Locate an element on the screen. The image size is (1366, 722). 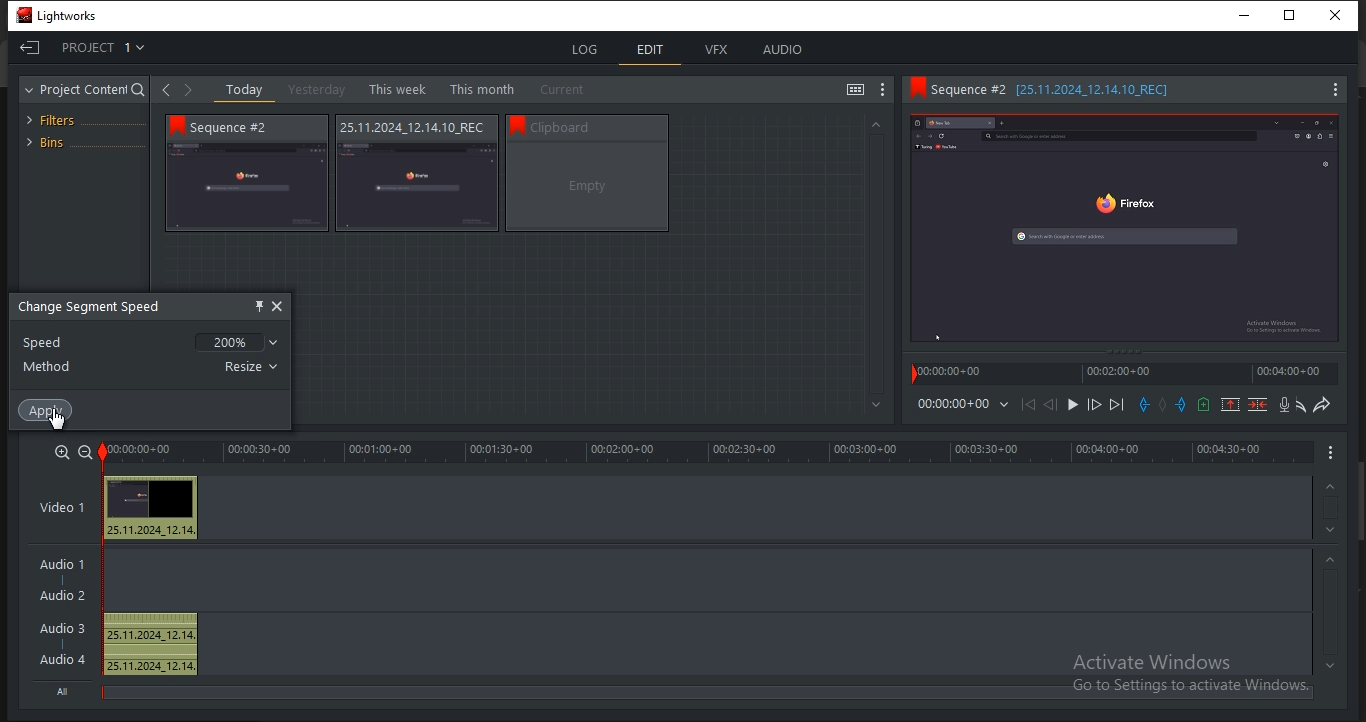
this month is located at coordinates (482, 88).